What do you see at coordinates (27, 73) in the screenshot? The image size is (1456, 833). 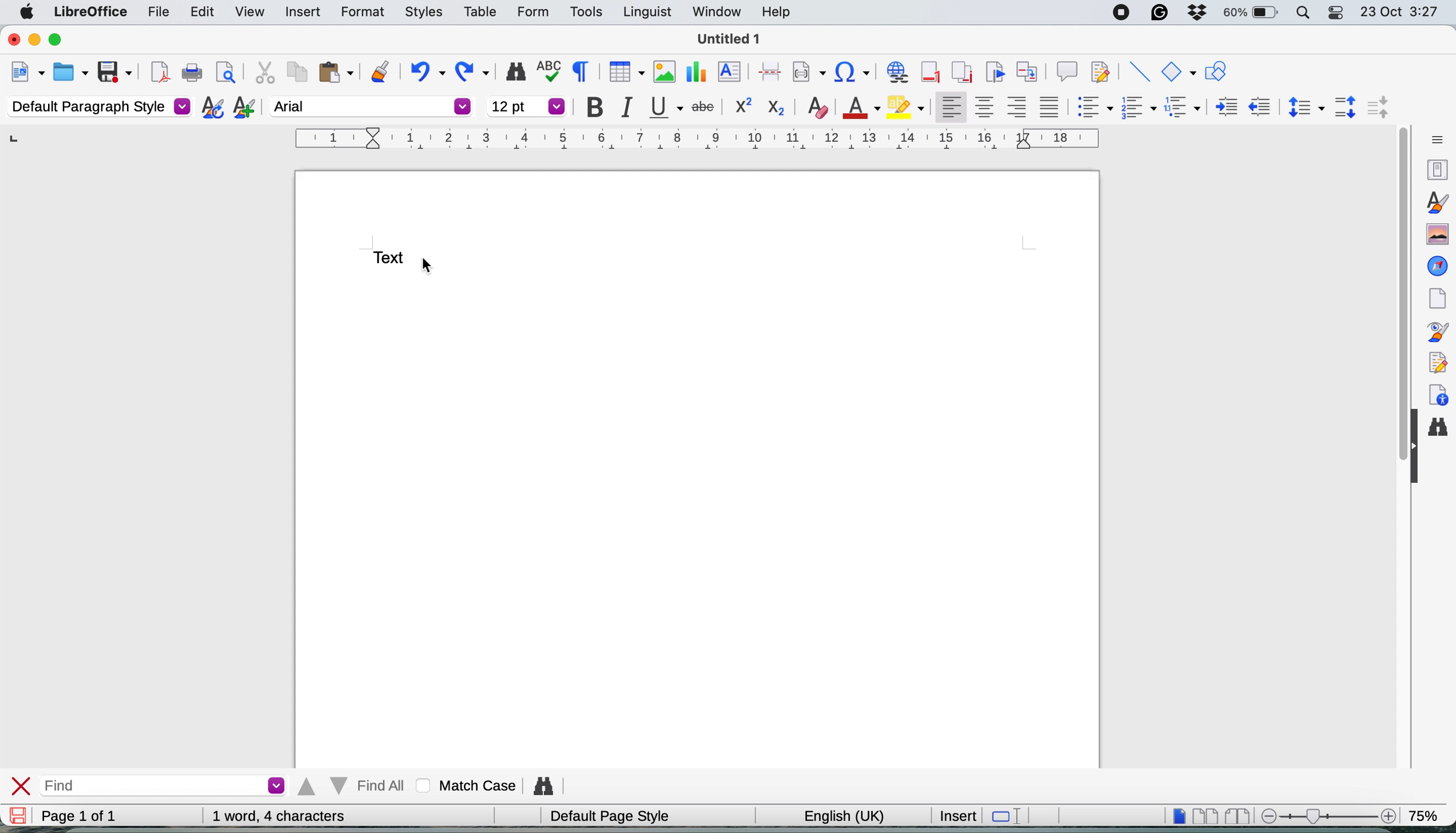 I see `new` at bounding box center [27, 73].